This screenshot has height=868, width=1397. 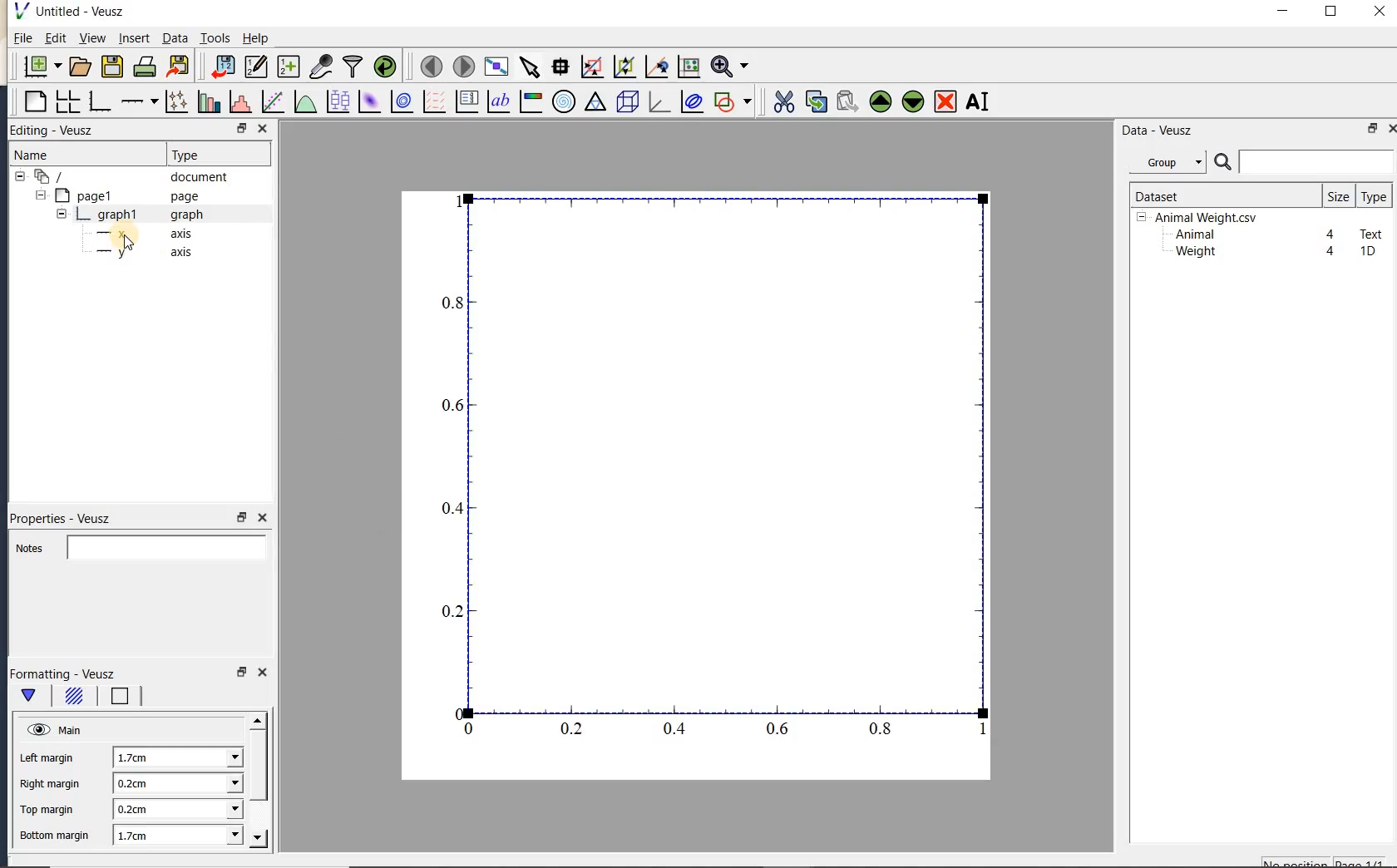 What do you see at coordinates (119, 197) in the screenshot?
I see `page1` at bounding box center [119, 197].